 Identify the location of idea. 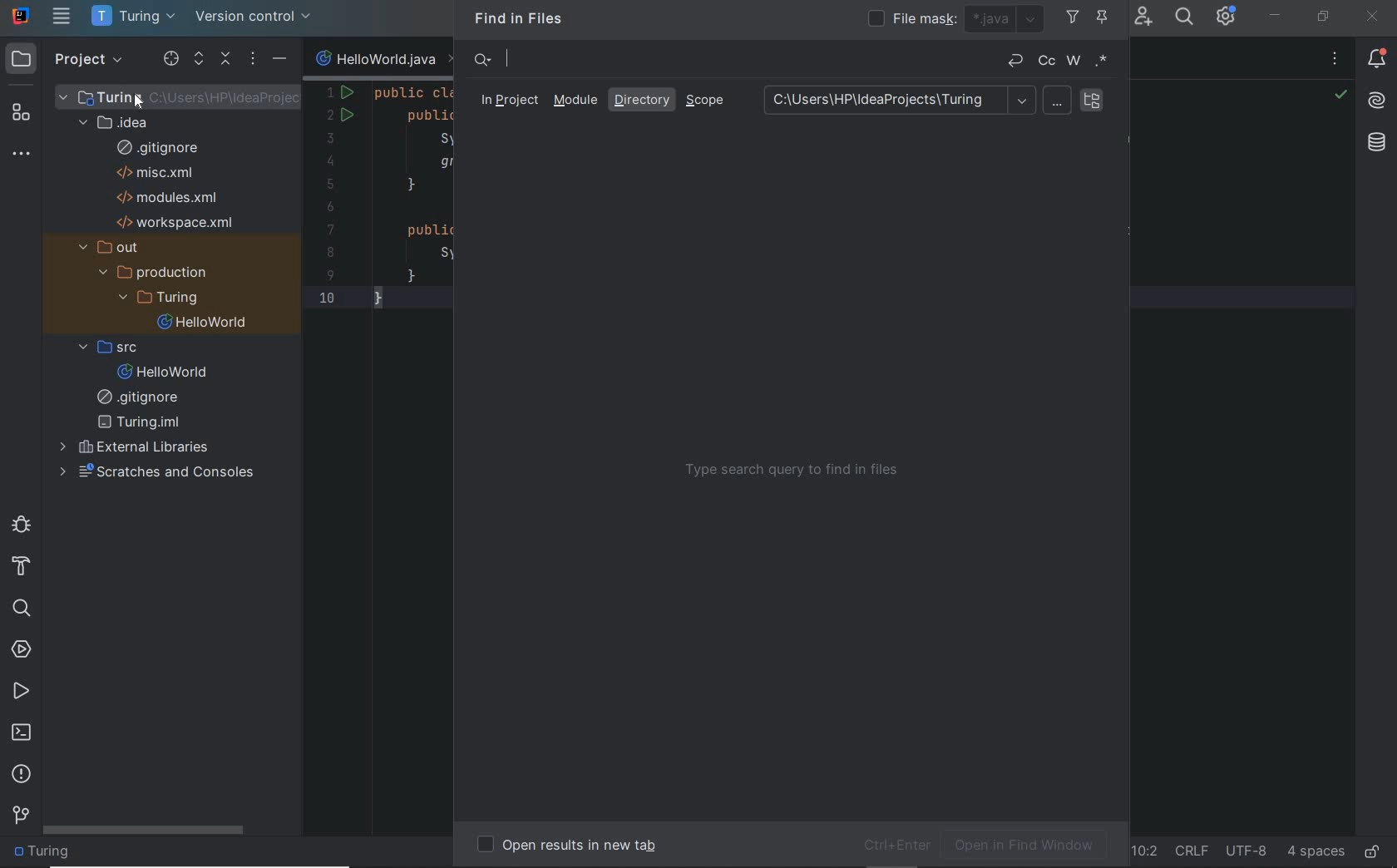
(119, 121).